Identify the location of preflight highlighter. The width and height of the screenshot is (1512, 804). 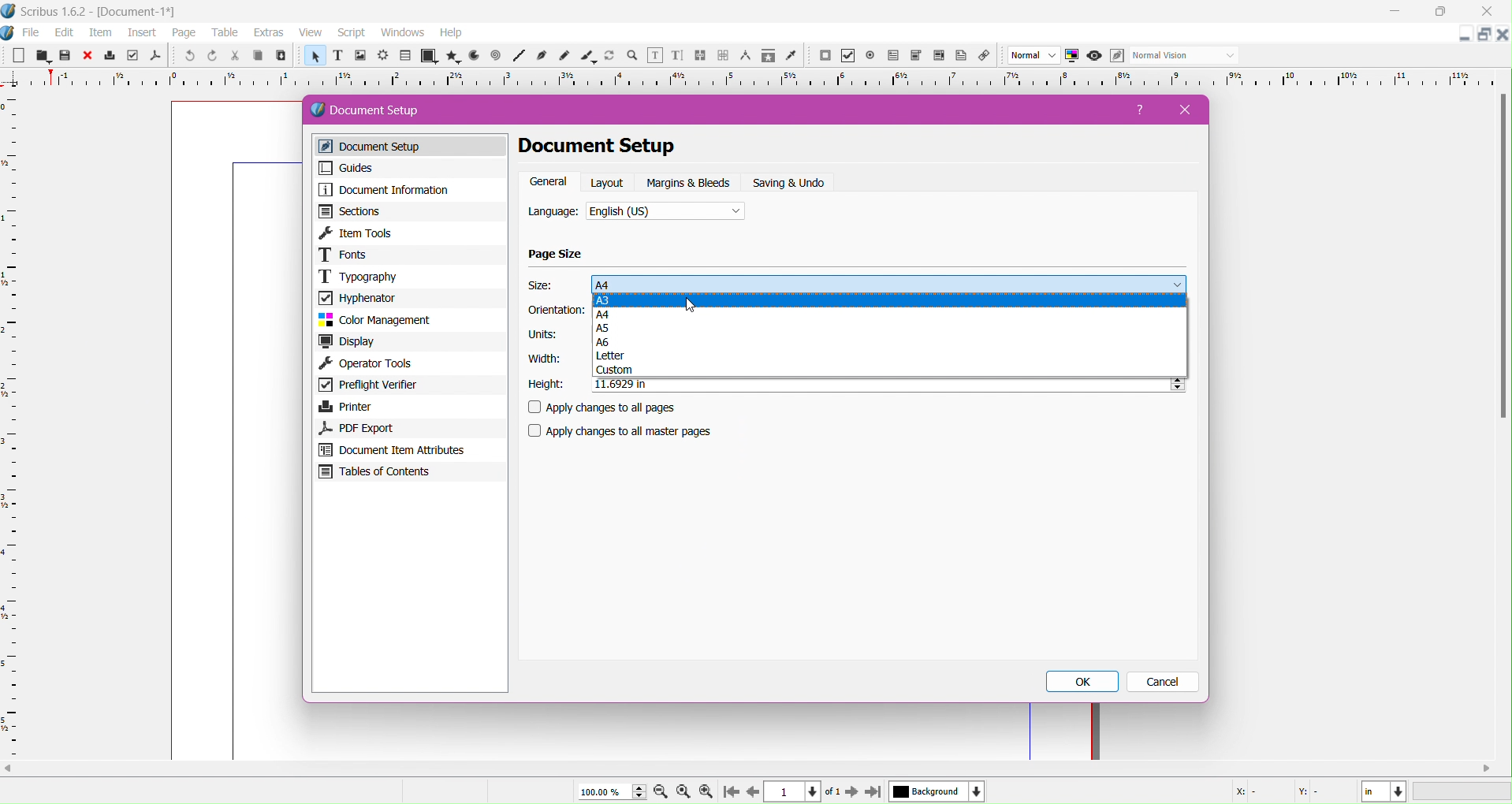
(132, 56).